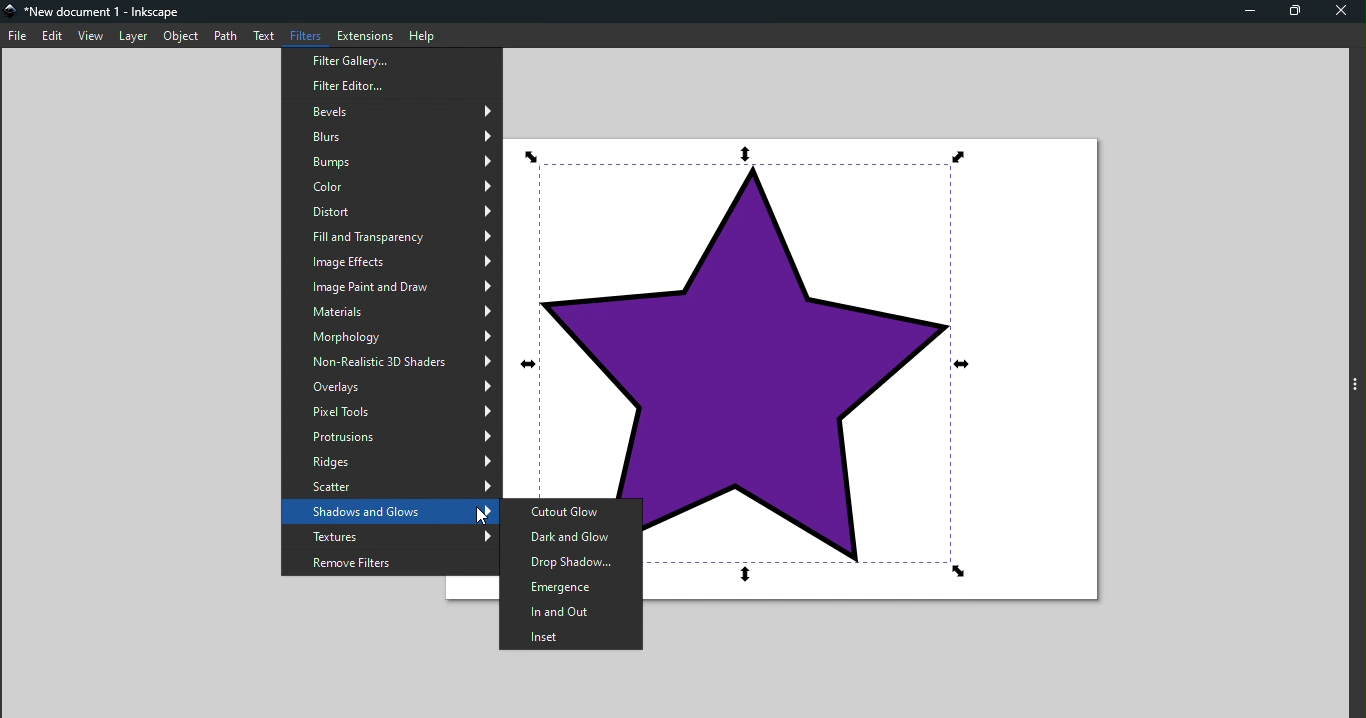  What do you see at coordinates (95, 12) in the screenshot?
I see `File name` at bounding box center [95, 12].